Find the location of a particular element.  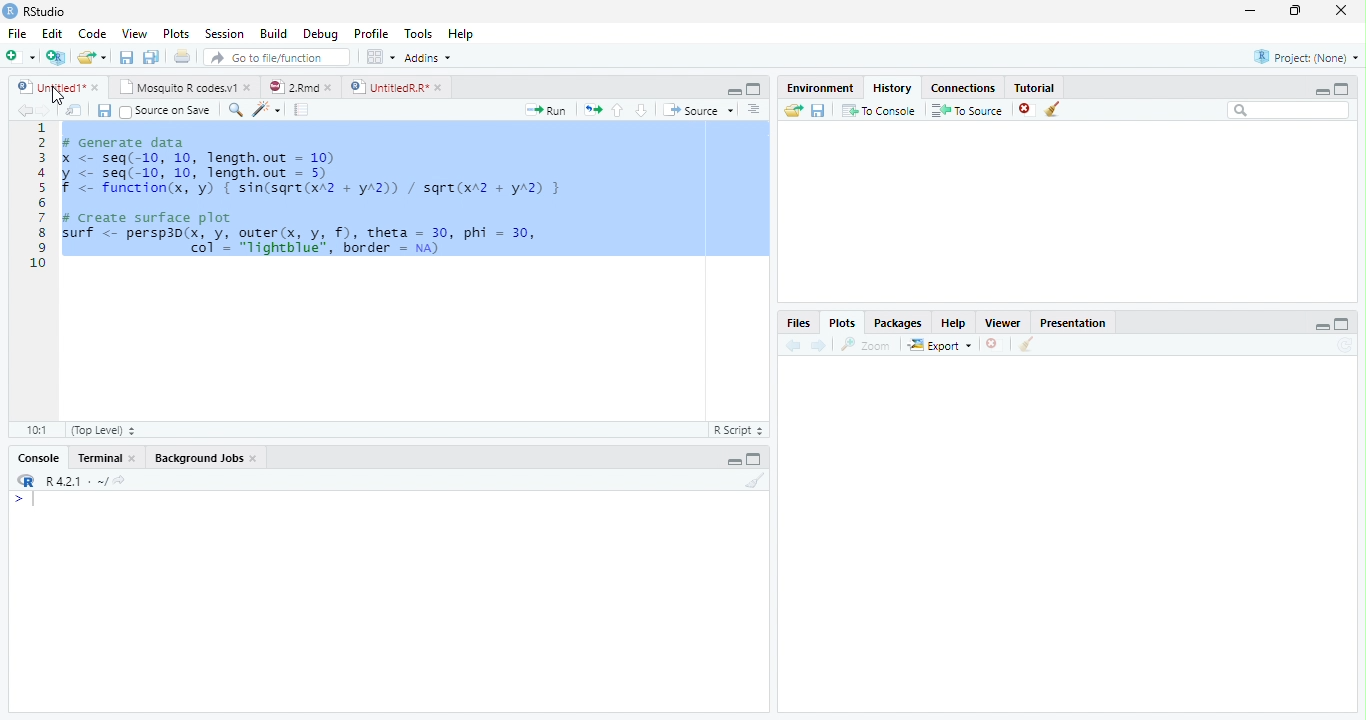

Edit is located at coordinates (51, 33).